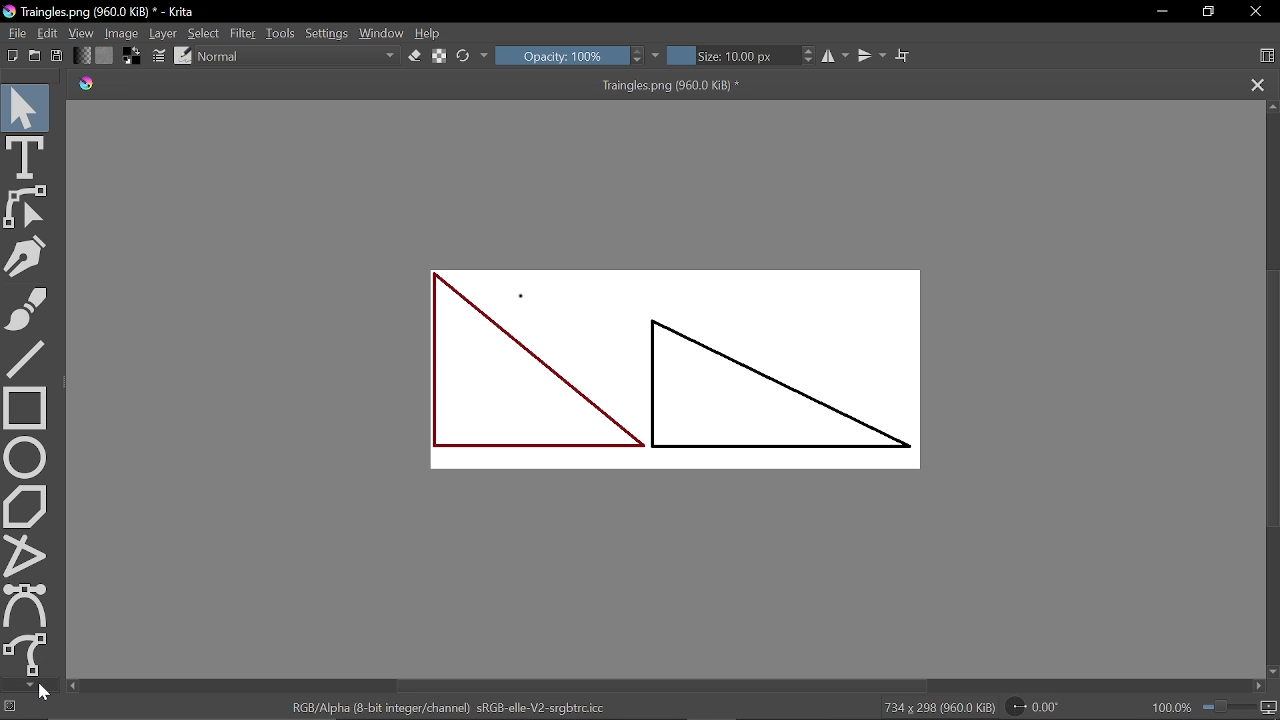 This screenshot has width=1280, height=720. Describe the element at coordinates (59, 56) in the screenshot. I see `Save` at that location.